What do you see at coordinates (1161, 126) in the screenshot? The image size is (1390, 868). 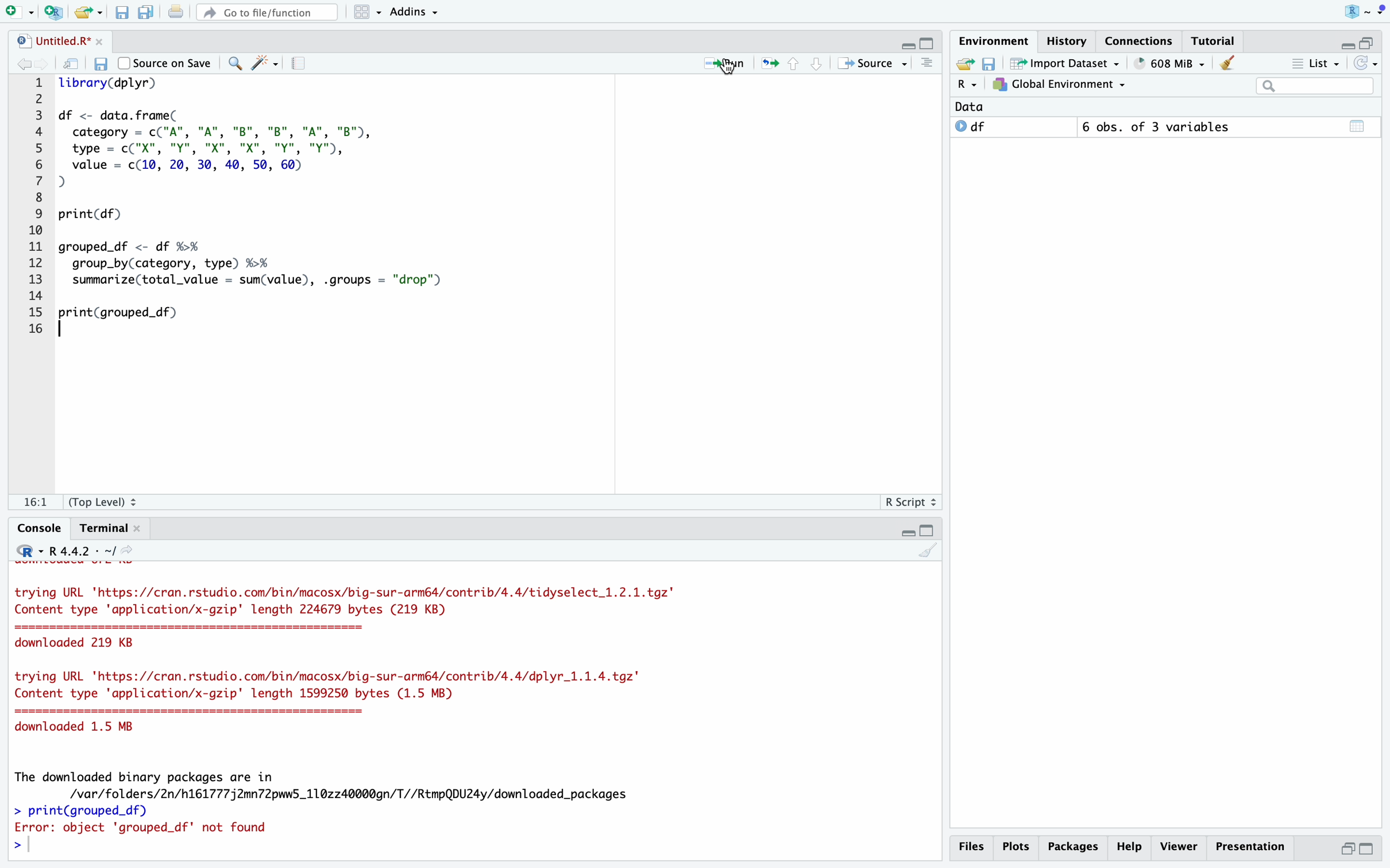 I see `6 obs. of 3 variables` at bounding box center [1161, 126].